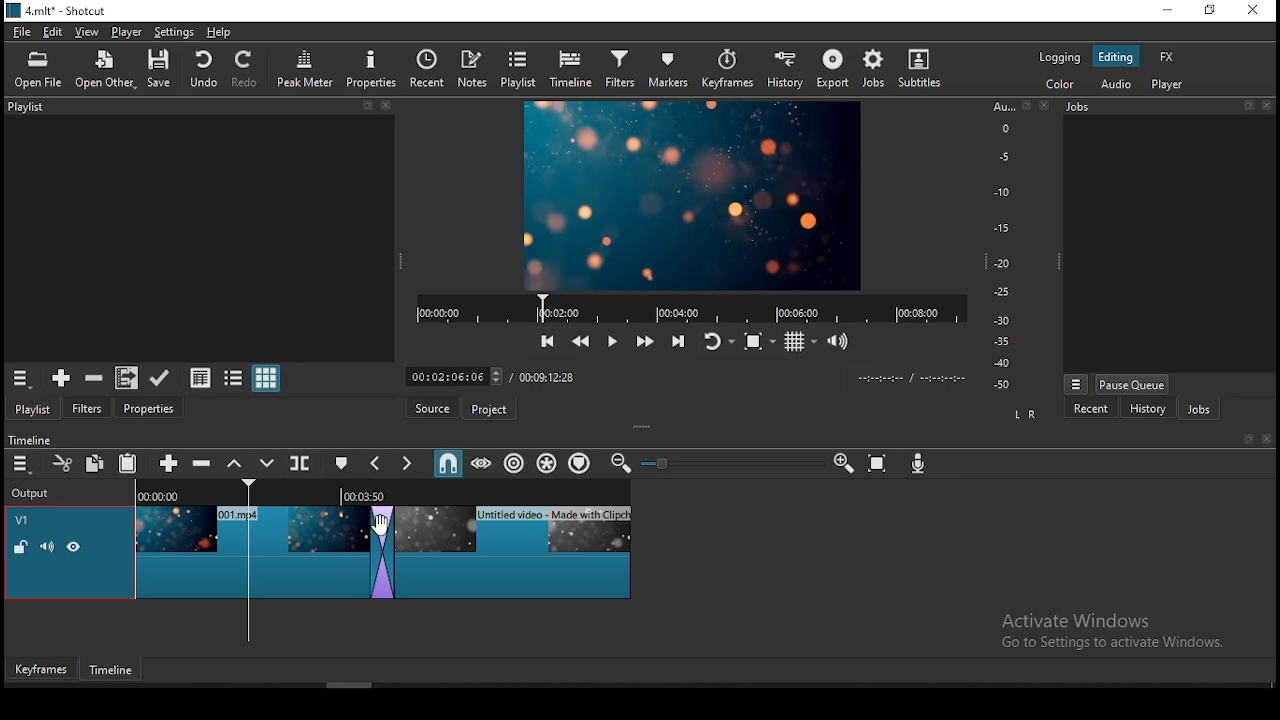 Image resolution: width=1280 pixels, height=720 pixels. What do you see at coordinates (70, 551) in the screenshot?
I see `video track` at bounding box center [70, 551].